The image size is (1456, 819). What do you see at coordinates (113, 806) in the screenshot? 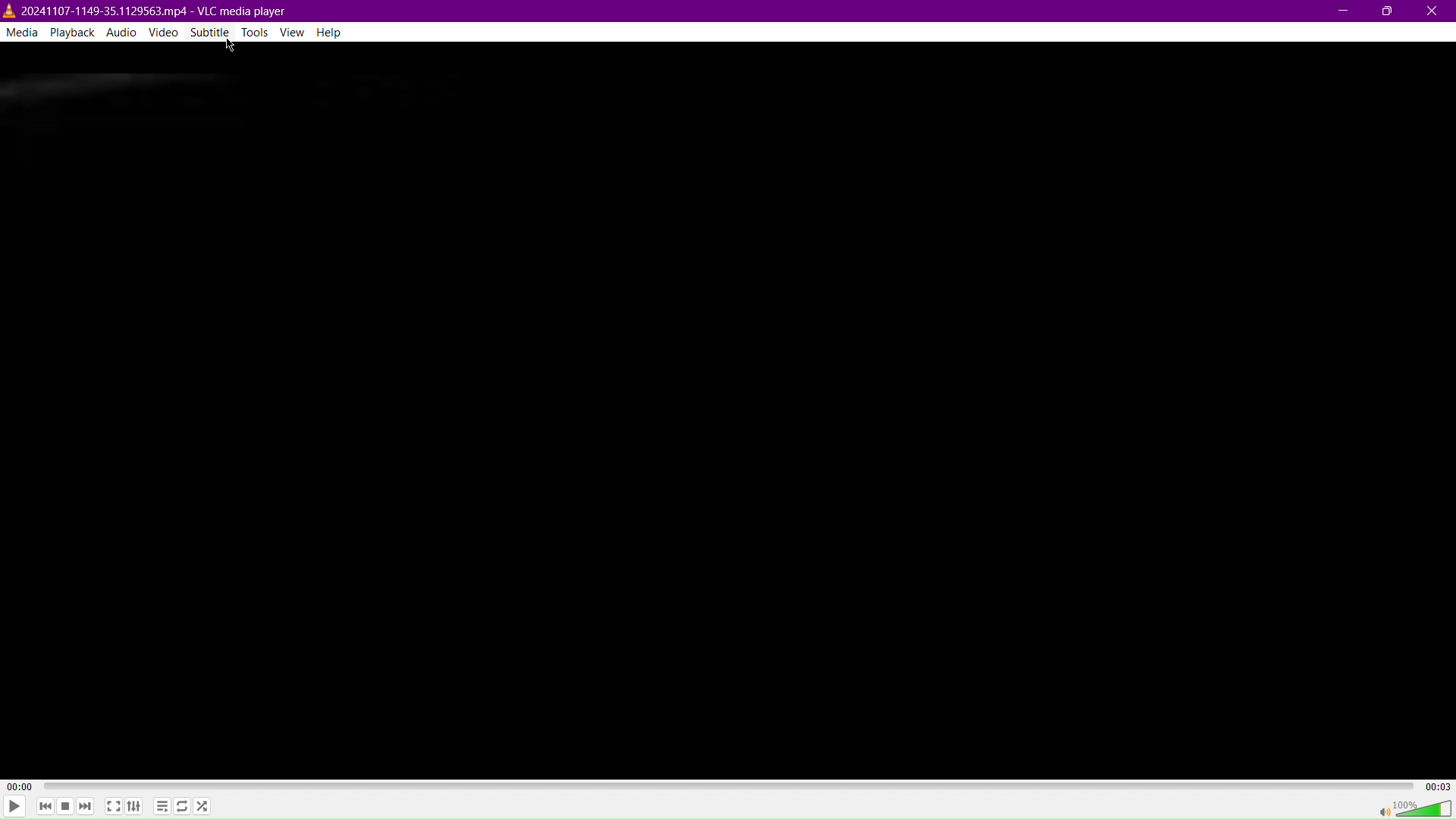
I see `Fullscreen` at bounding box center [113, 806].